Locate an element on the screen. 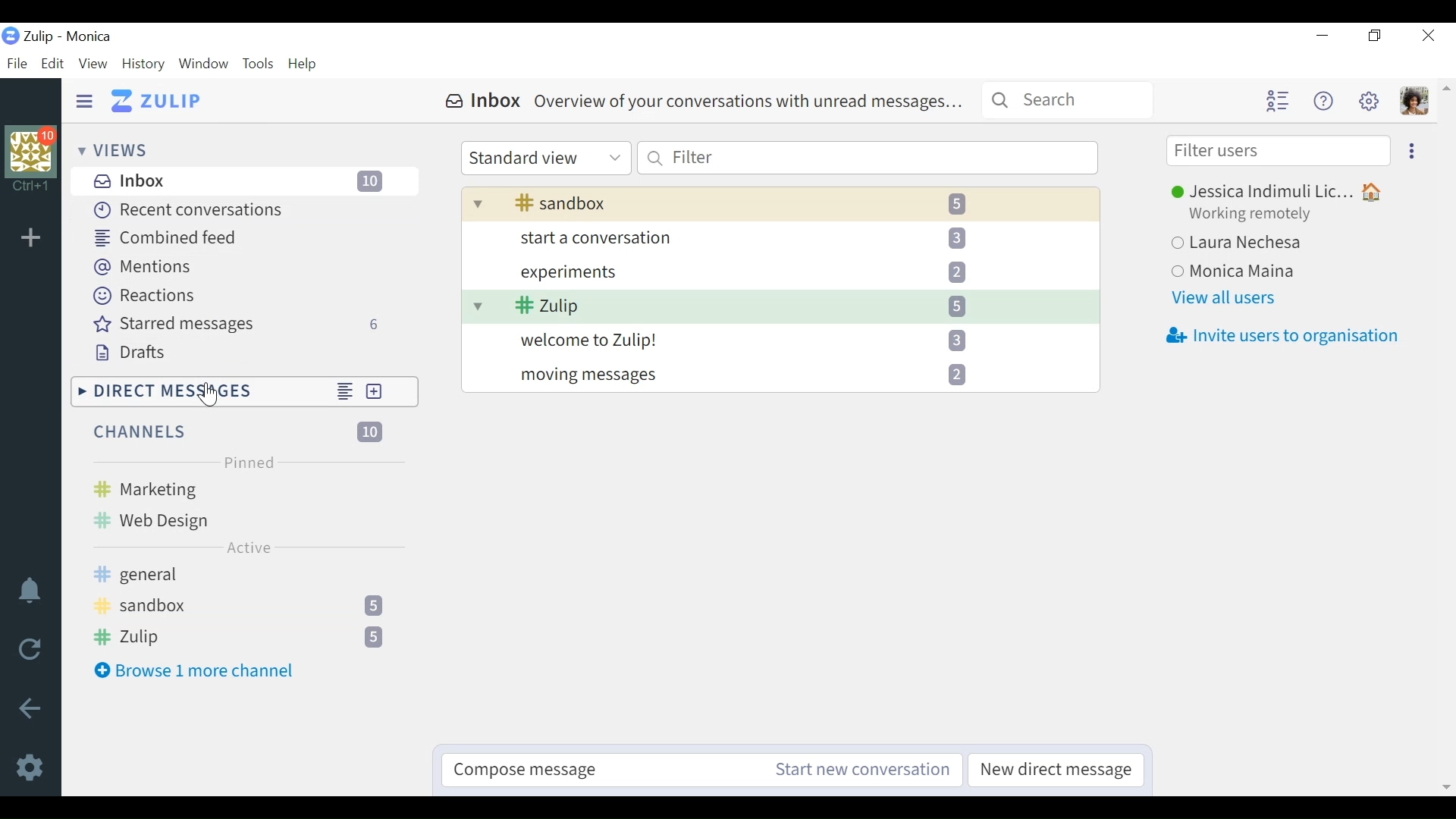 The image size is (1456, 819). New direct message is located at coordinates (1055, 770).